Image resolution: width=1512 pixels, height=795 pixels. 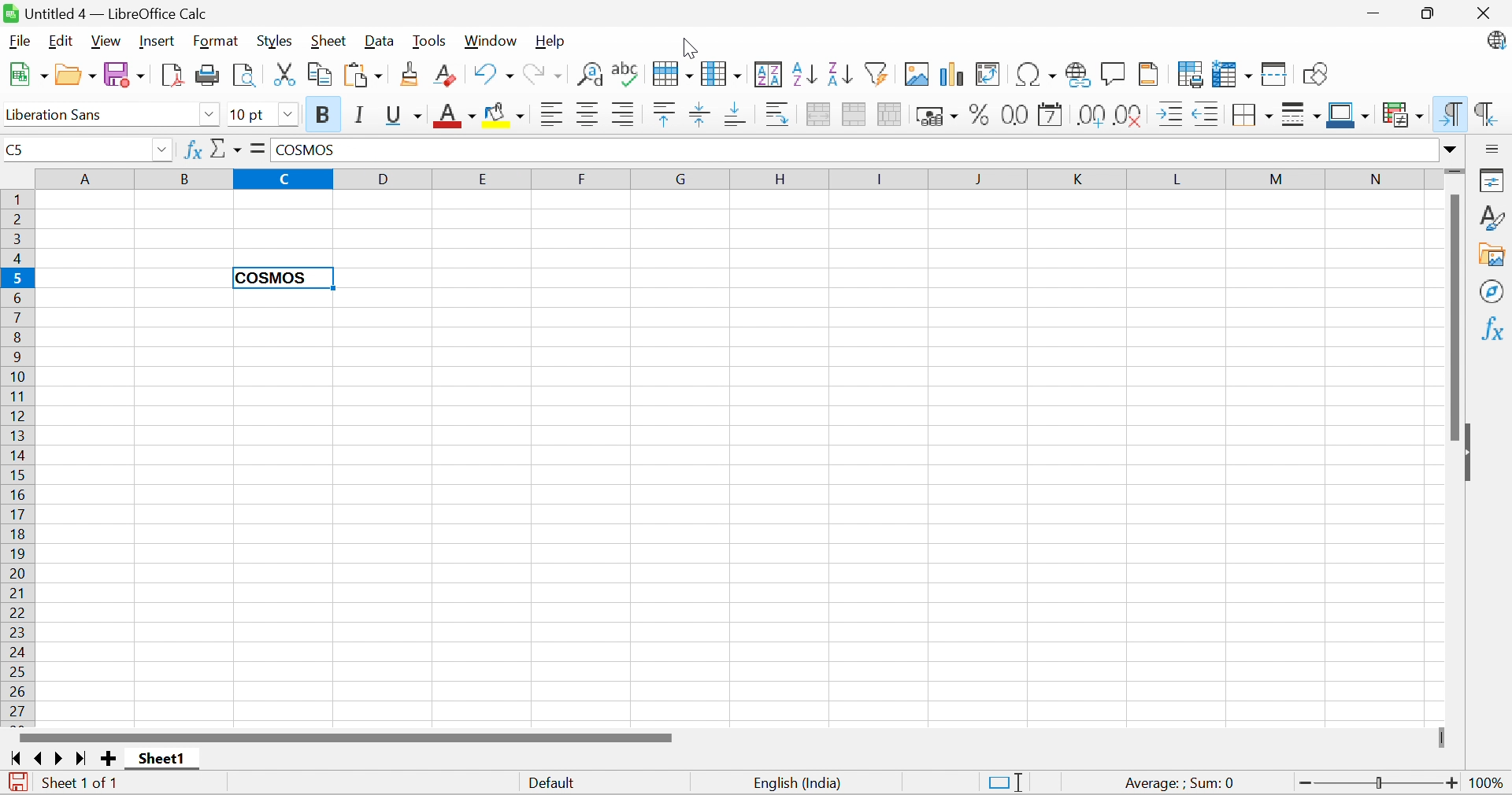 What do you see at coordinates (1490, 785) in the screenshot?
I see `100%` at bounding box center [1490, 785].